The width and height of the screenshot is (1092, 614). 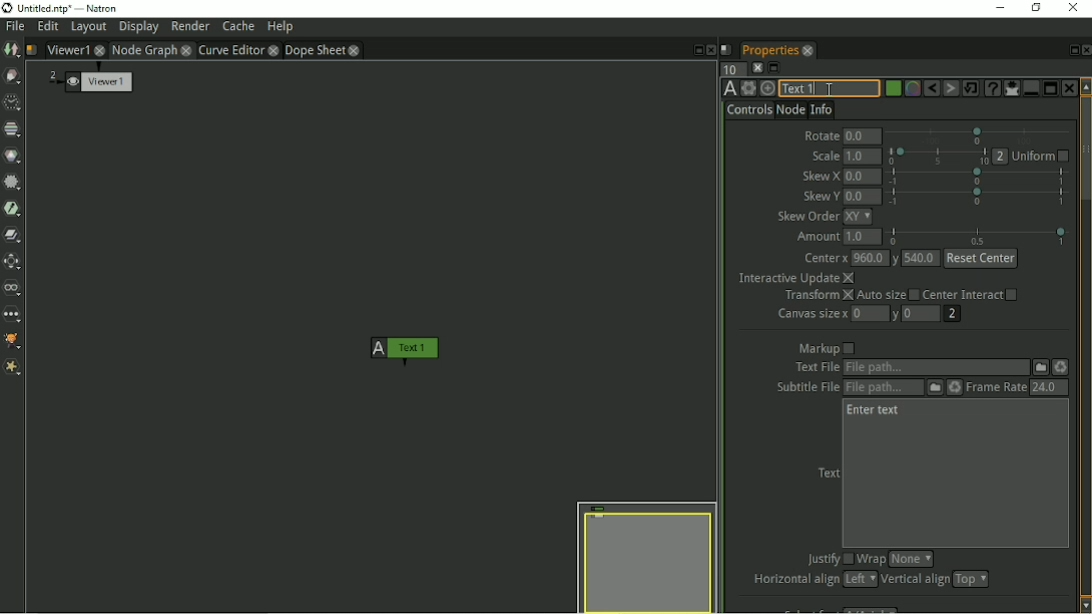 What do you see at coordinates (407, 348) in the screenshot?
I see `Text 1` at bounding box center [407, 348].